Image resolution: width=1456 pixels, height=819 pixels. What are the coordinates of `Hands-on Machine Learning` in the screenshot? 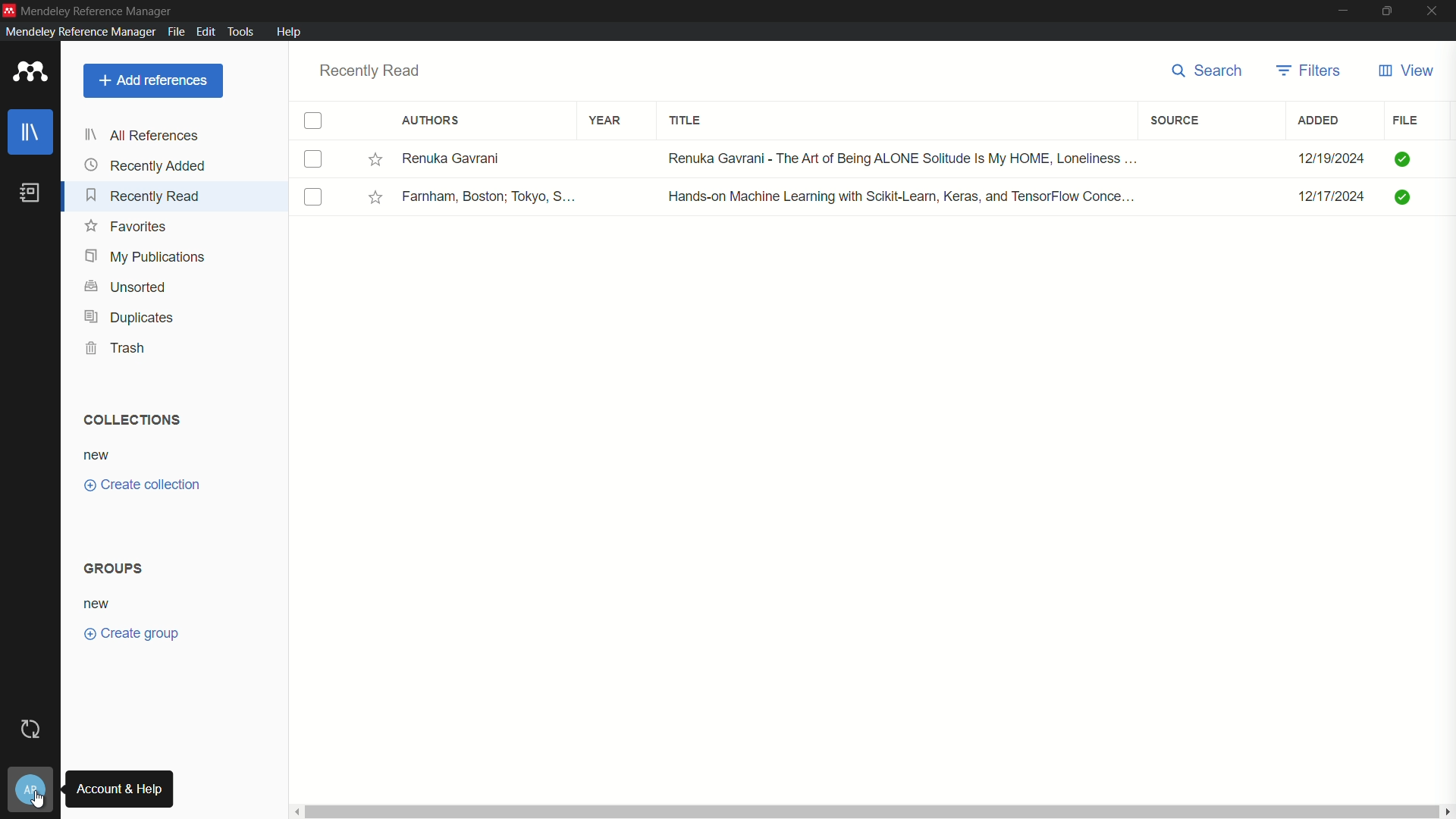 It's located at (907, 196).